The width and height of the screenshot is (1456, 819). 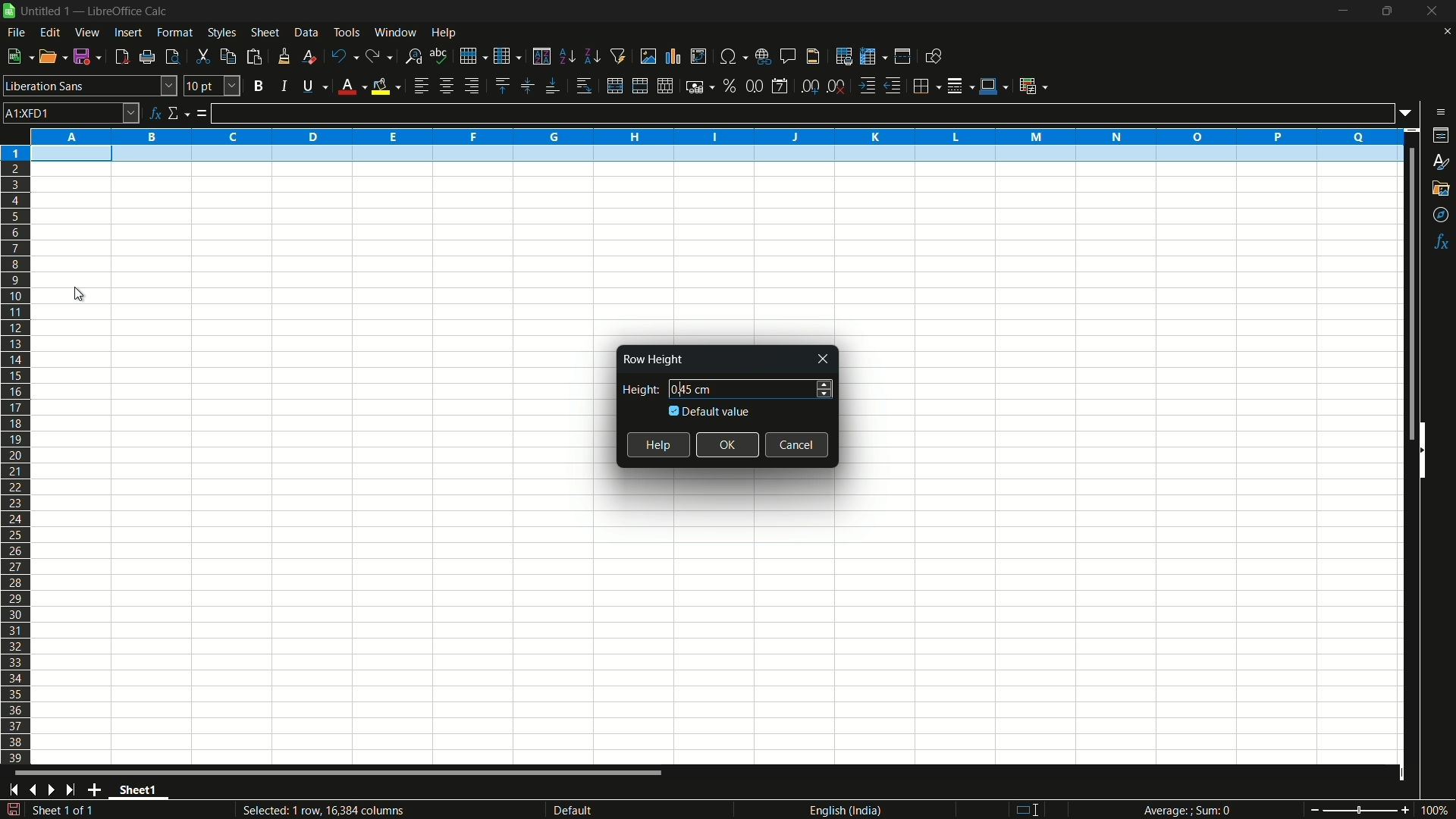 I want to click on maximize or restore, so click(x=1387, y=11).